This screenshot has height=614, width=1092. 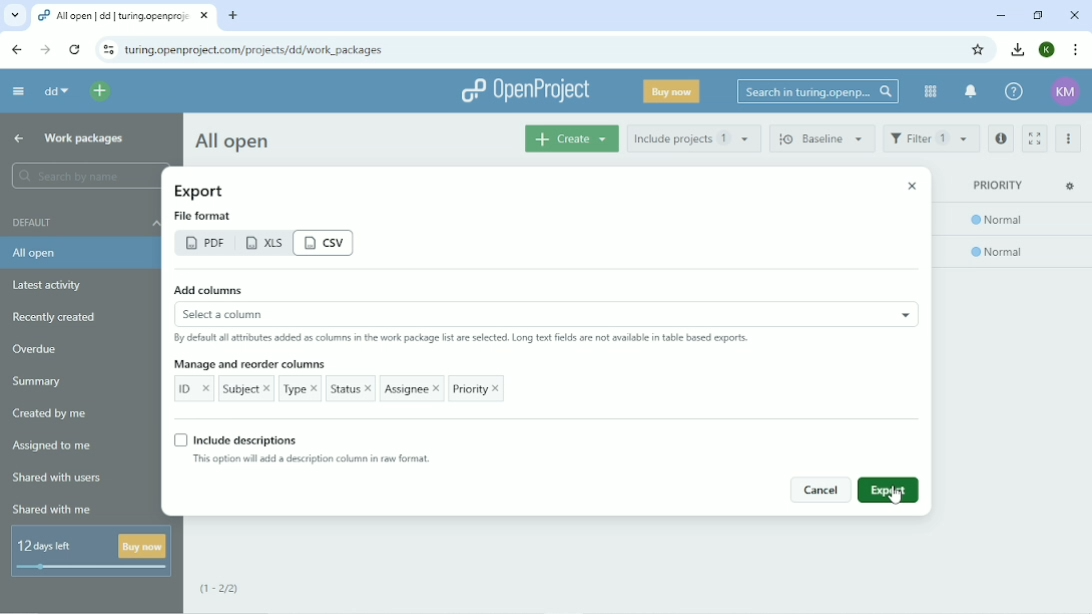 What do you see at coordinates (327, 243) in the screenshot?
I see `csv` at bounding box center [327, 243].